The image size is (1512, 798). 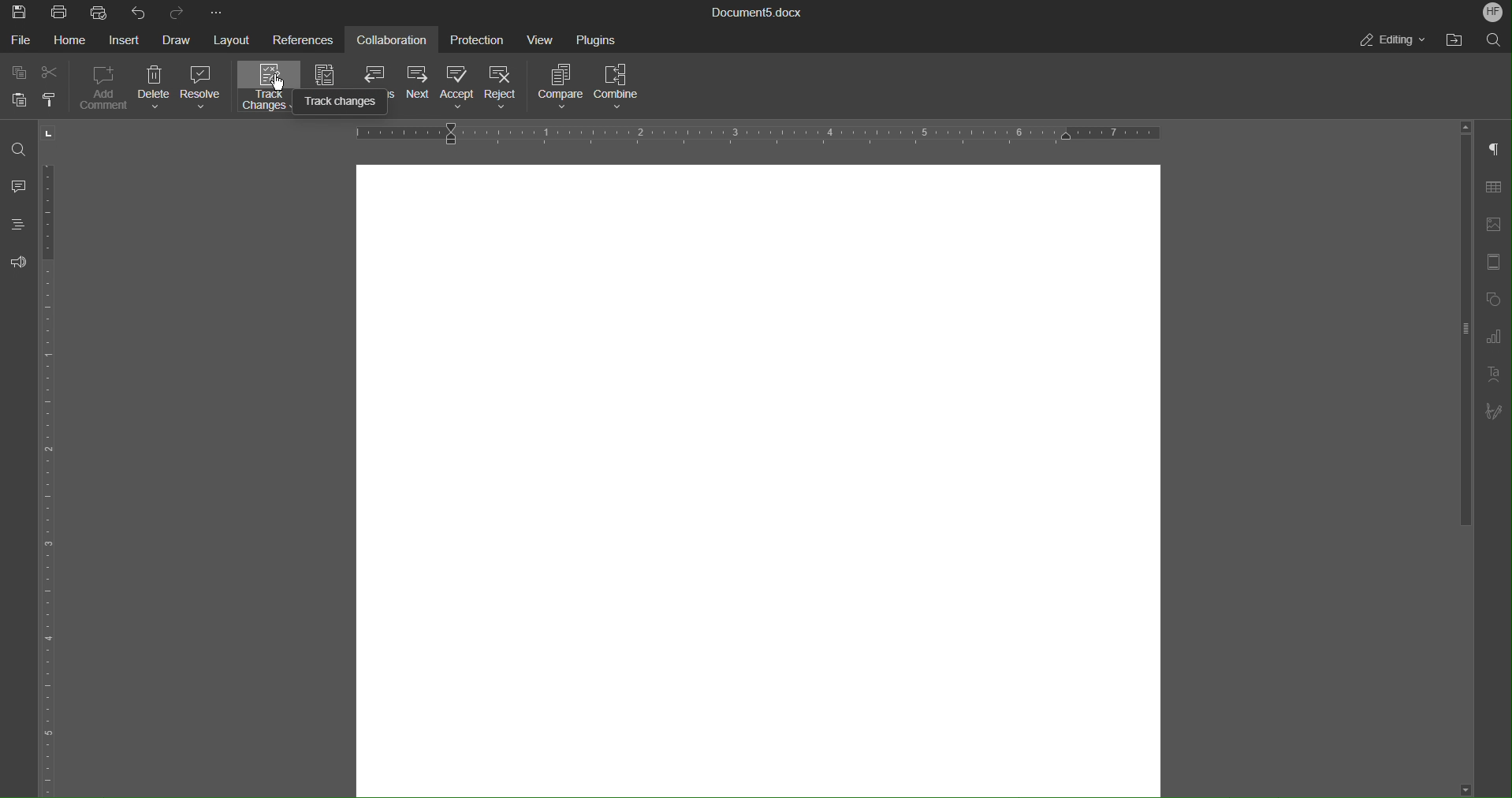 What do you see at coordinates (308, 39) in the screenshot?
I see `References` at bounding box center [308, 39].